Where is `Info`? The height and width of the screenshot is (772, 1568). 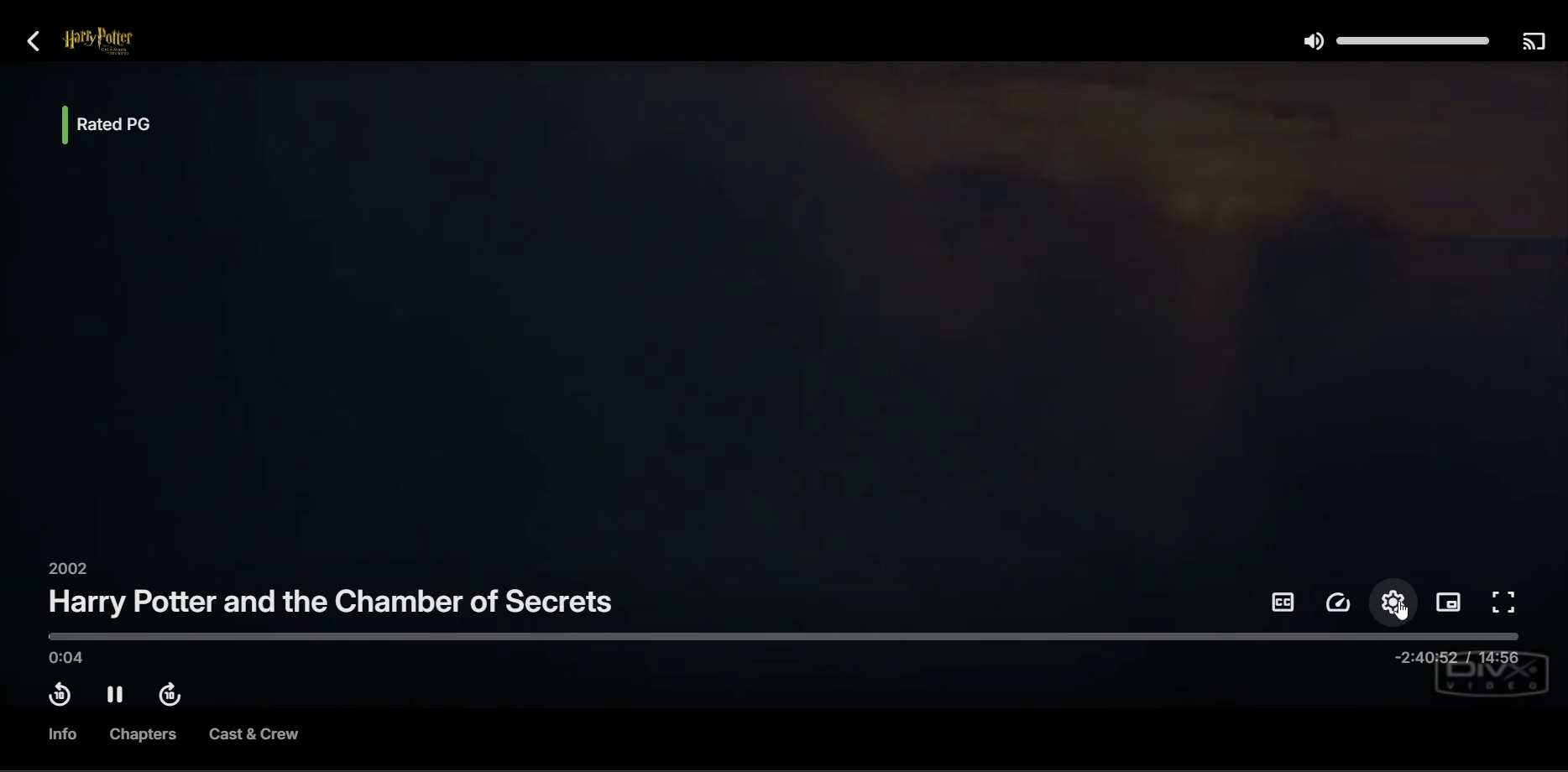
Info is located at coordinates (59, 734).